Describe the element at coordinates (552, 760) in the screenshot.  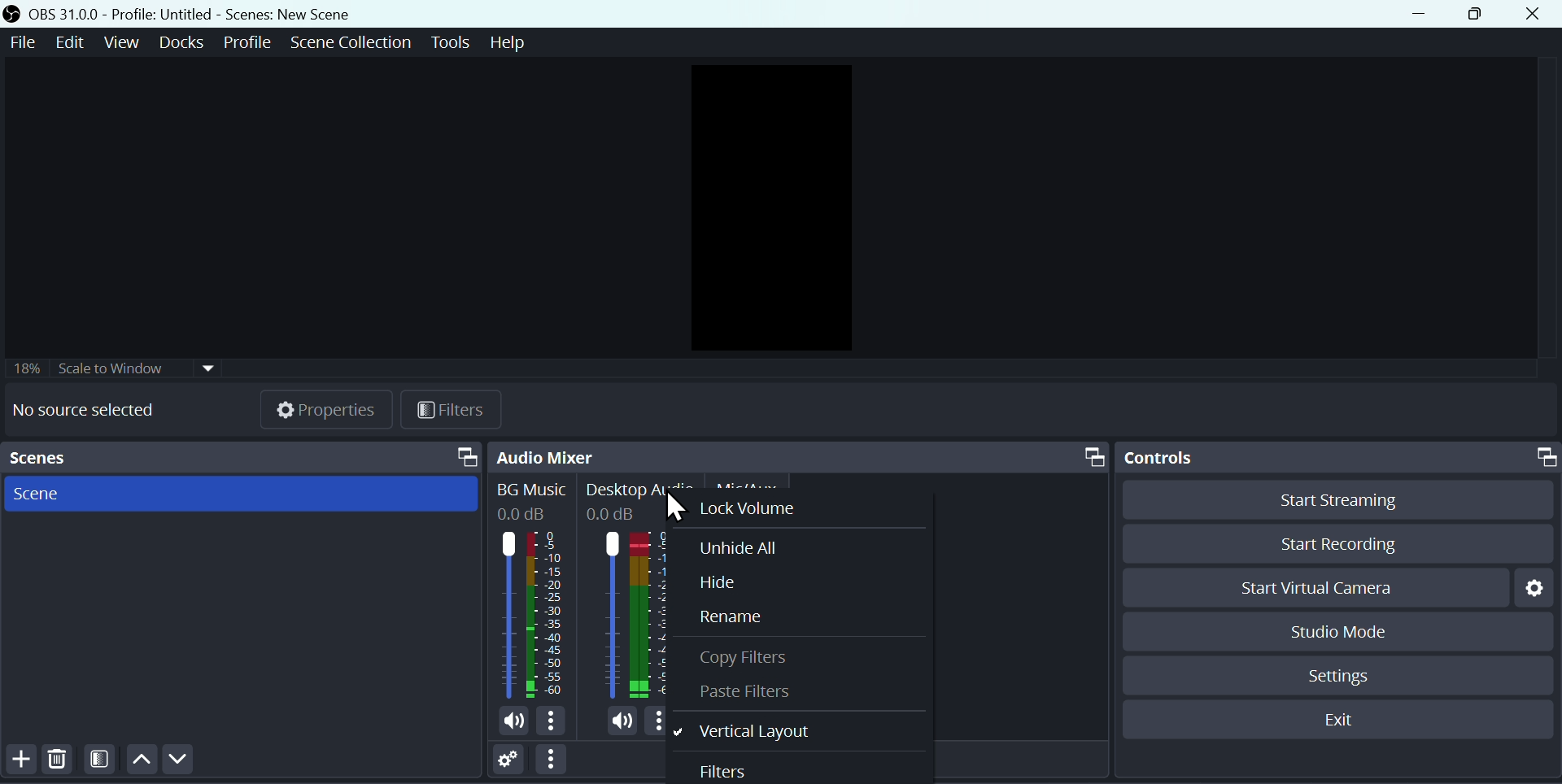
I see `option` at that location.